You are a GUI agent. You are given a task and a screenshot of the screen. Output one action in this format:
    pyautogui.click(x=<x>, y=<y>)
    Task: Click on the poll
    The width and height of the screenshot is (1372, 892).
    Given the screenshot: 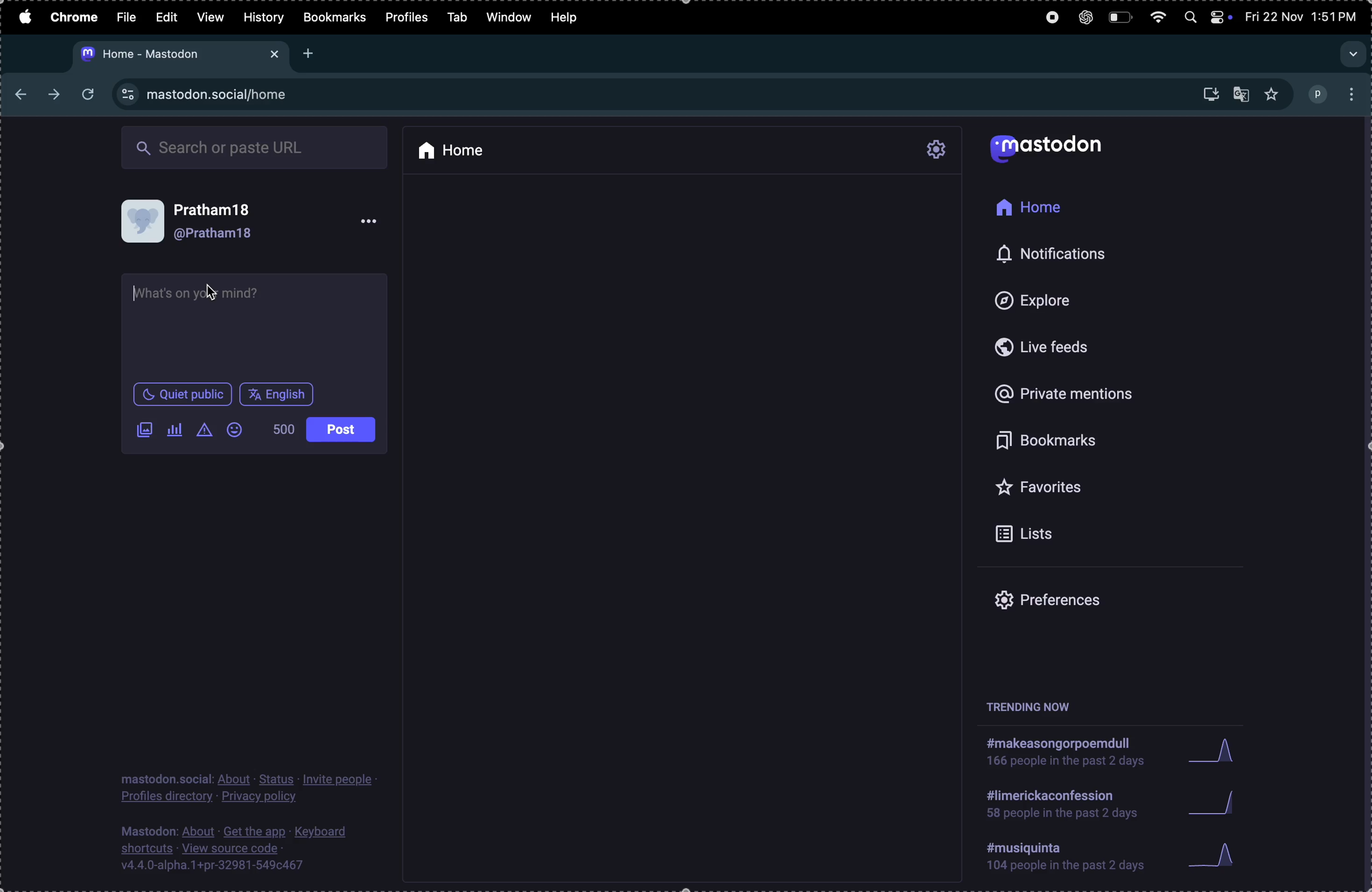 What is the action you would take?
    pyautogui.click(x=171, y=430)
    